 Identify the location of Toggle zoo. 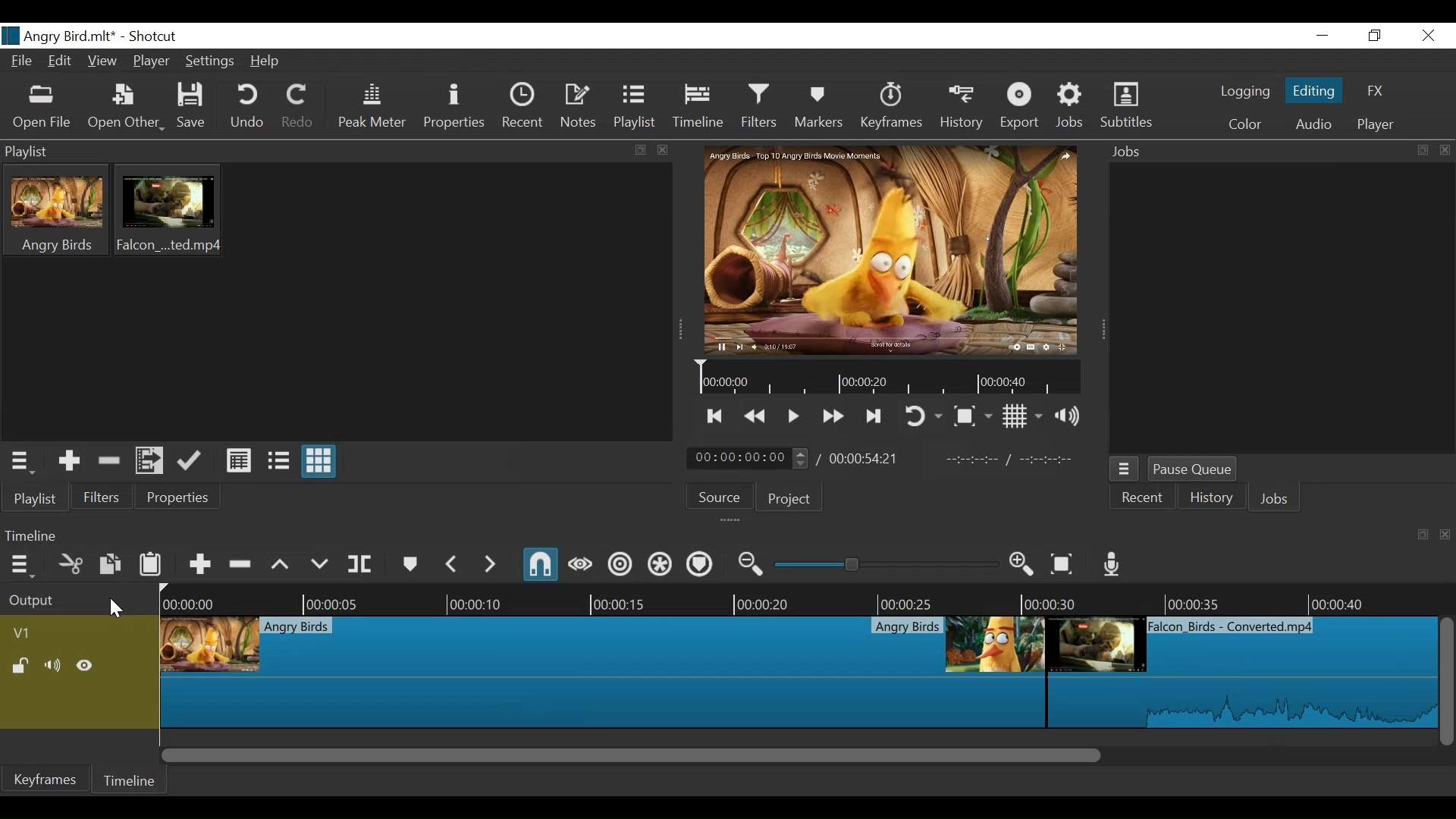
(973, 416).